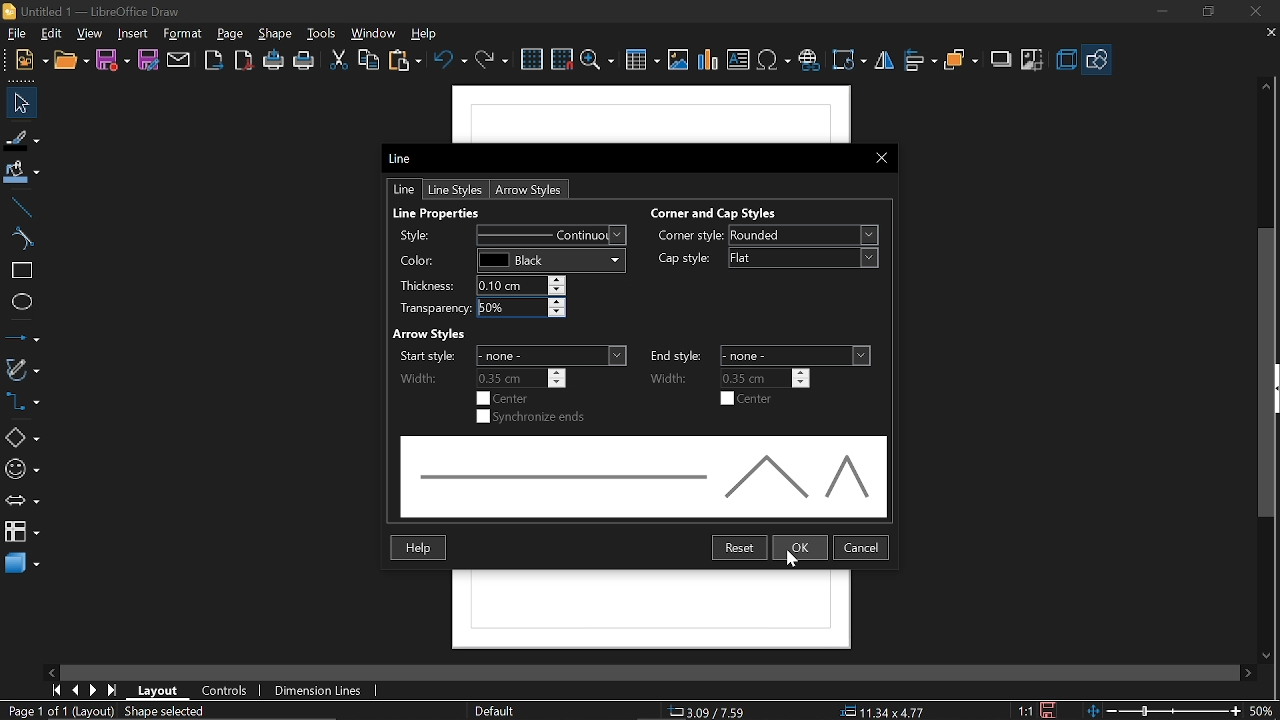  I want to click on format, so click(186, 34).